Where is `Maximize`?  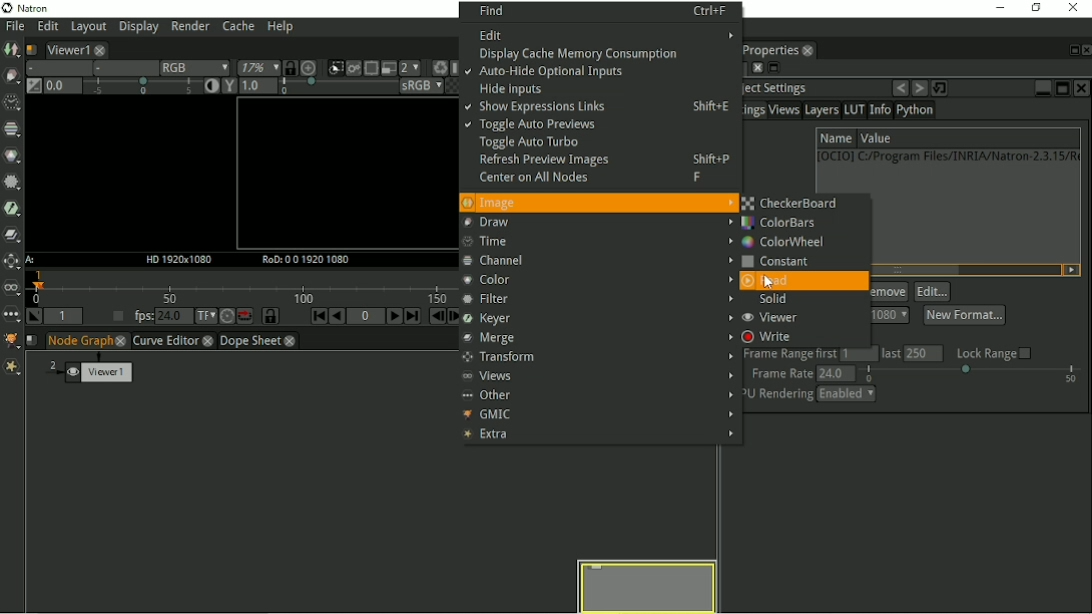 Maximize is located at coordinates (1062, 88).